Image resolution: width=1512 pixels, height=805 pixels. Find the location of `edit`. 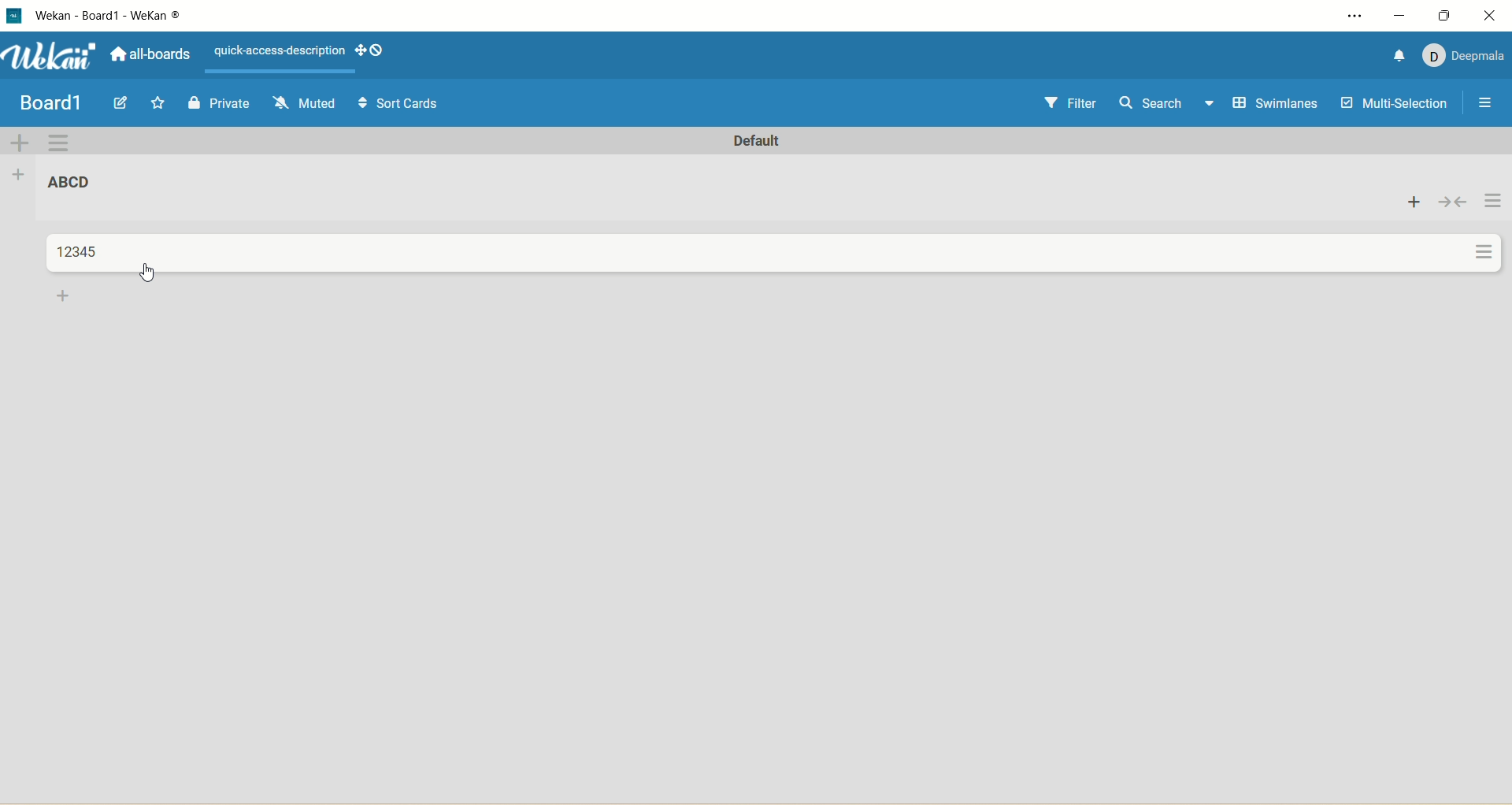

edit is located at coordinates (120, 103).